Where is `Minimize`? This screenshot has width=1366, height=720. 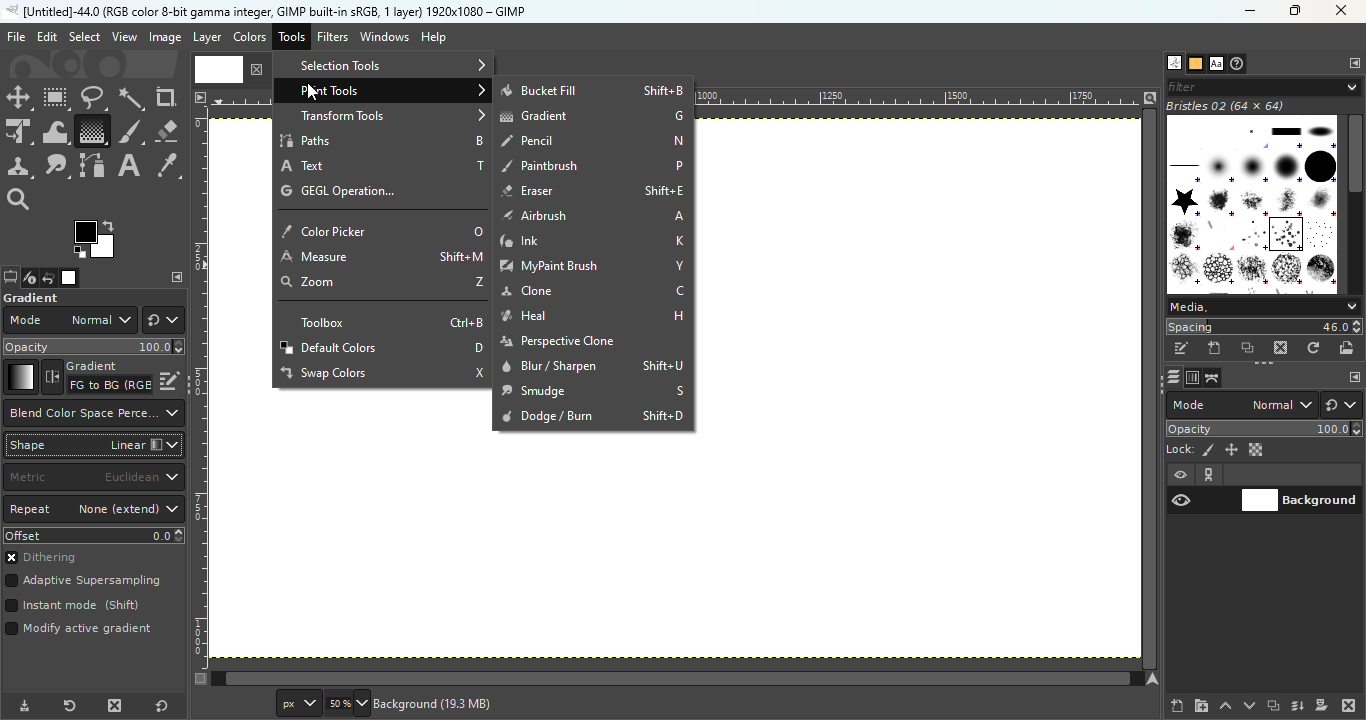 Minimize is located at coordinates (1247, 11).